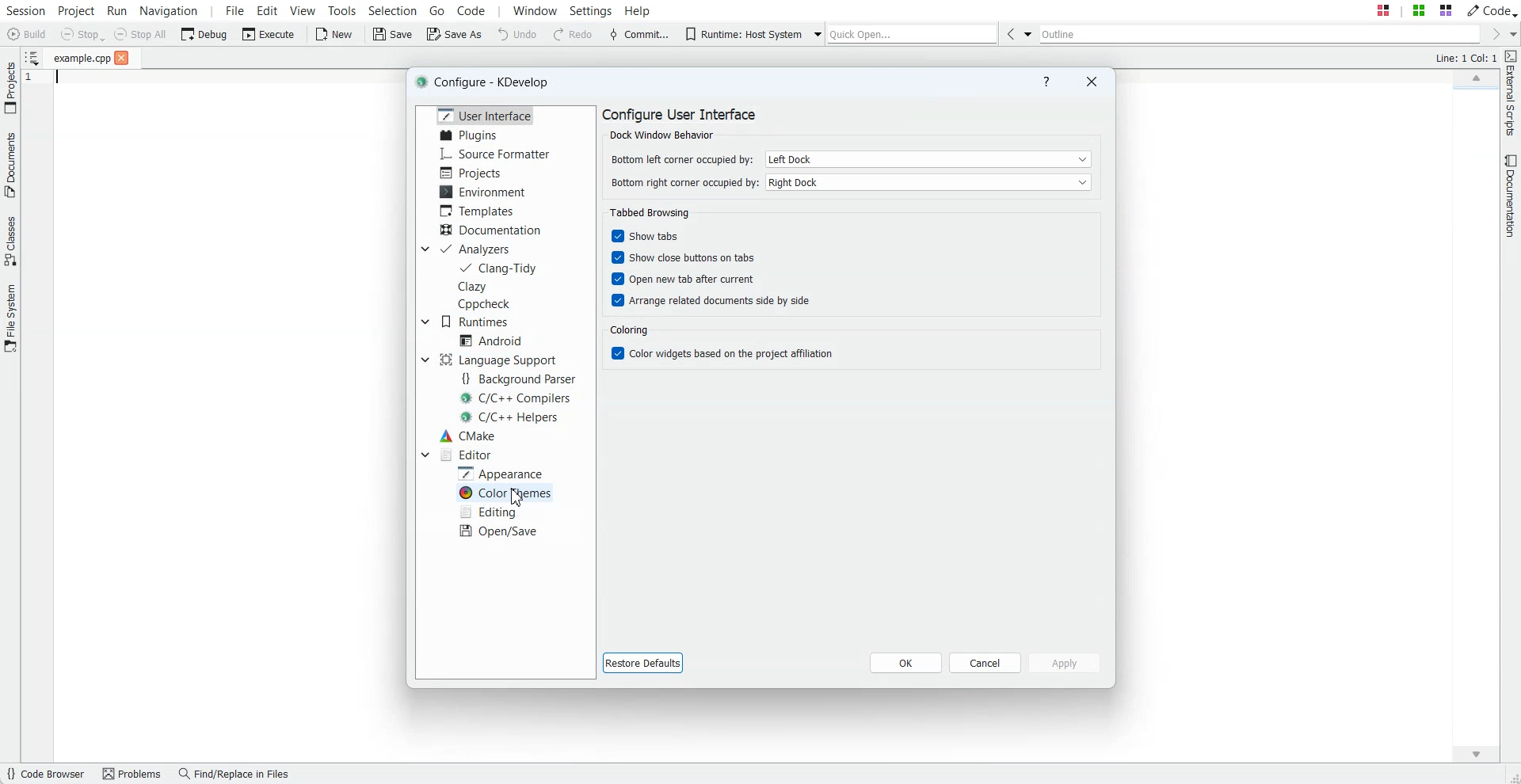  I want to click on Editor, so click(467, 455).